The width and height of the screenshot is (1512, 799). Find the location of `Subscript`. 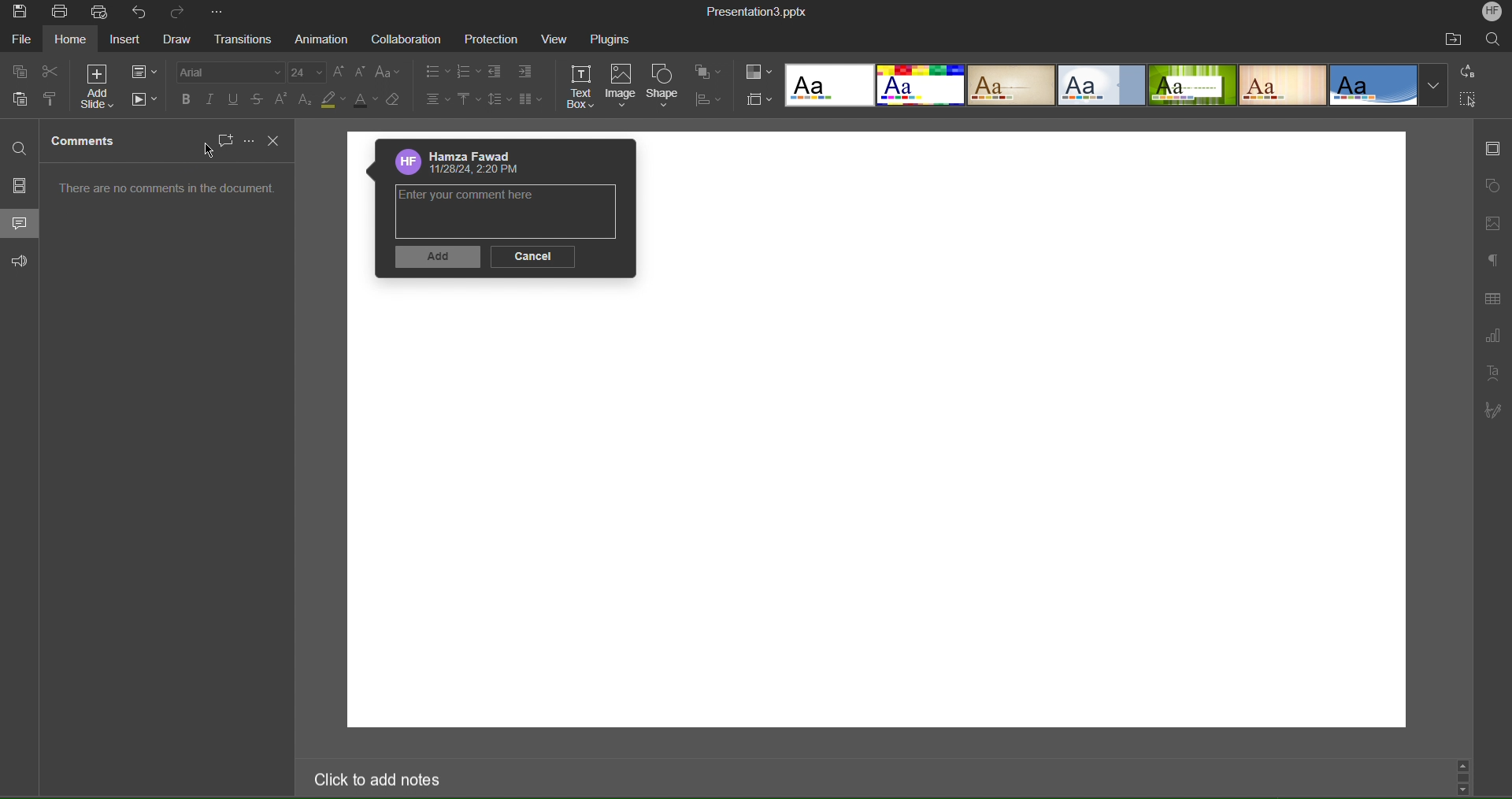

Subscript is located at coordinates (306, 100).